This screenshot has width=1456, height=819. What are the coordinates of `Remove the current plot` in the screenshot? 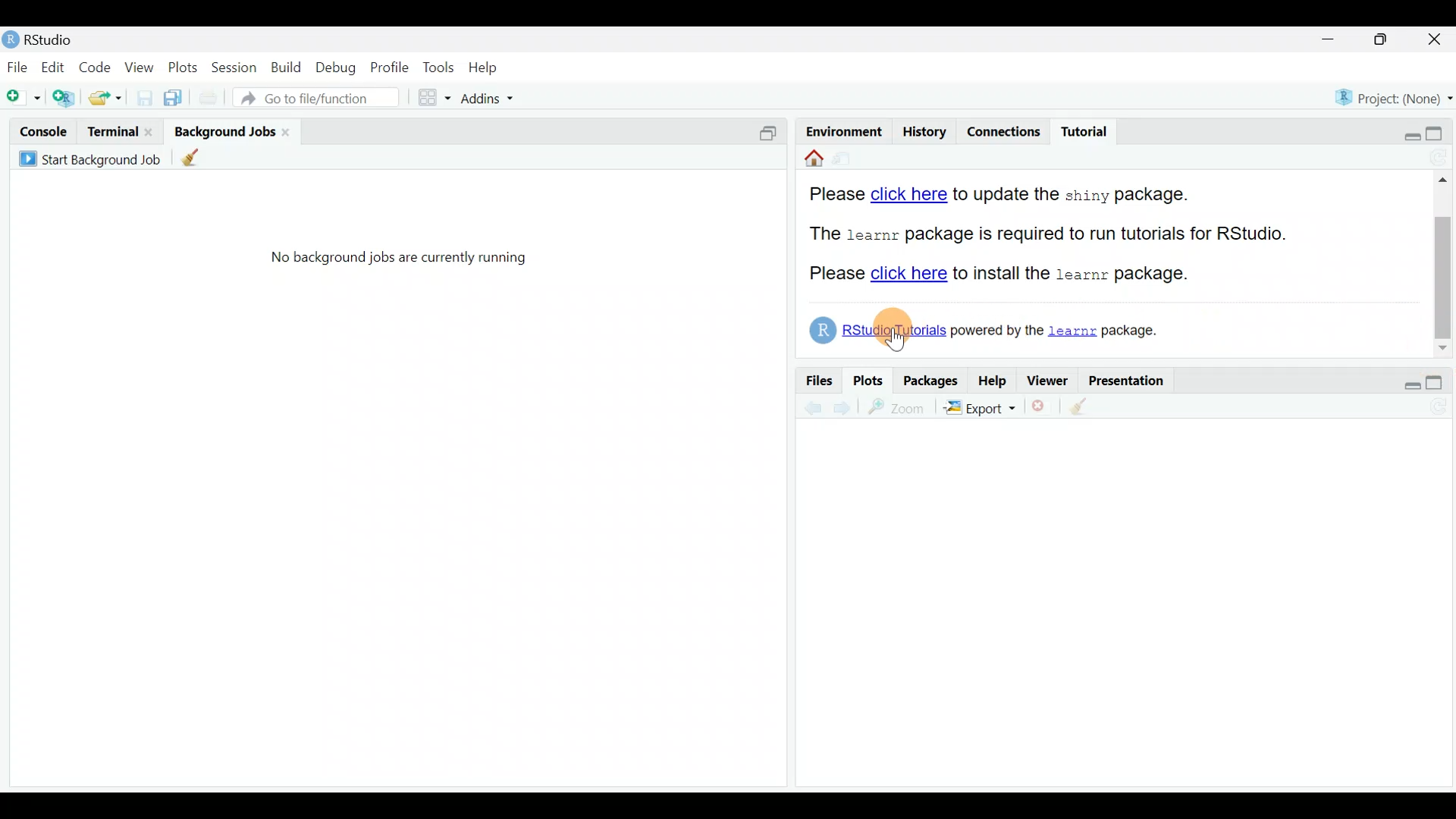 It's located at (1042, 406).